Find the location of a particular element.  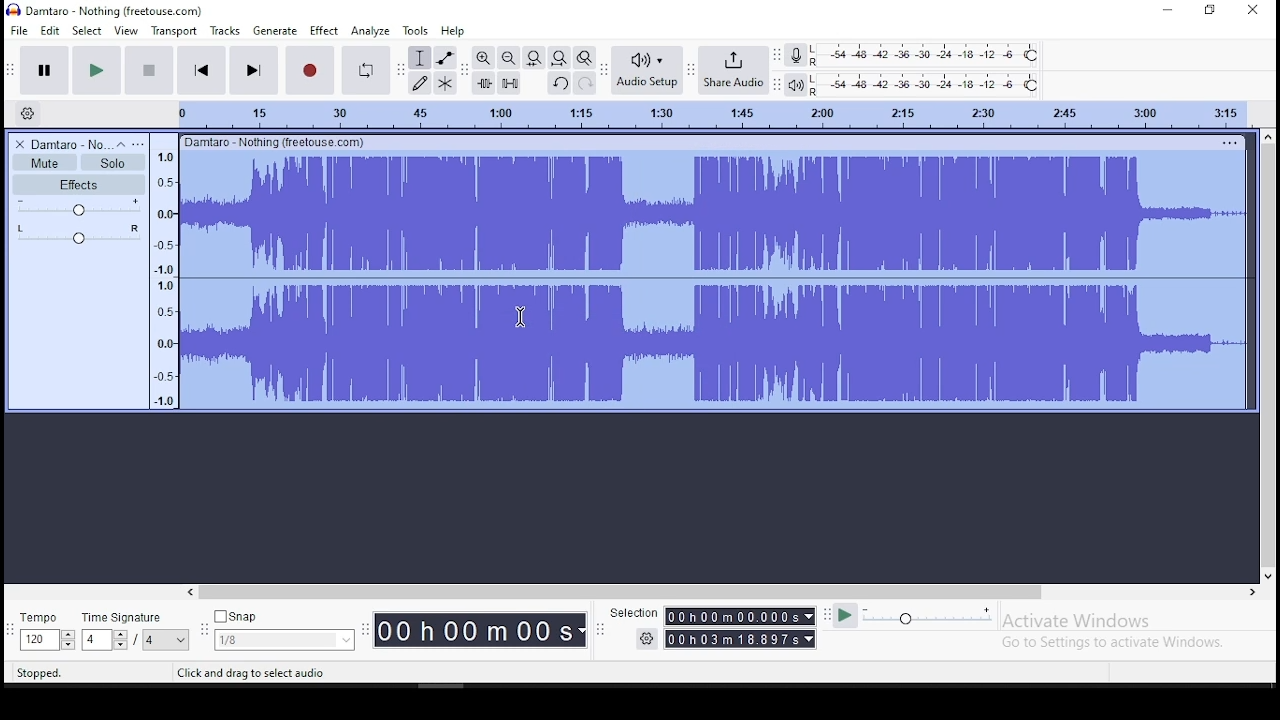

pause is located at coordinates (44, 68).